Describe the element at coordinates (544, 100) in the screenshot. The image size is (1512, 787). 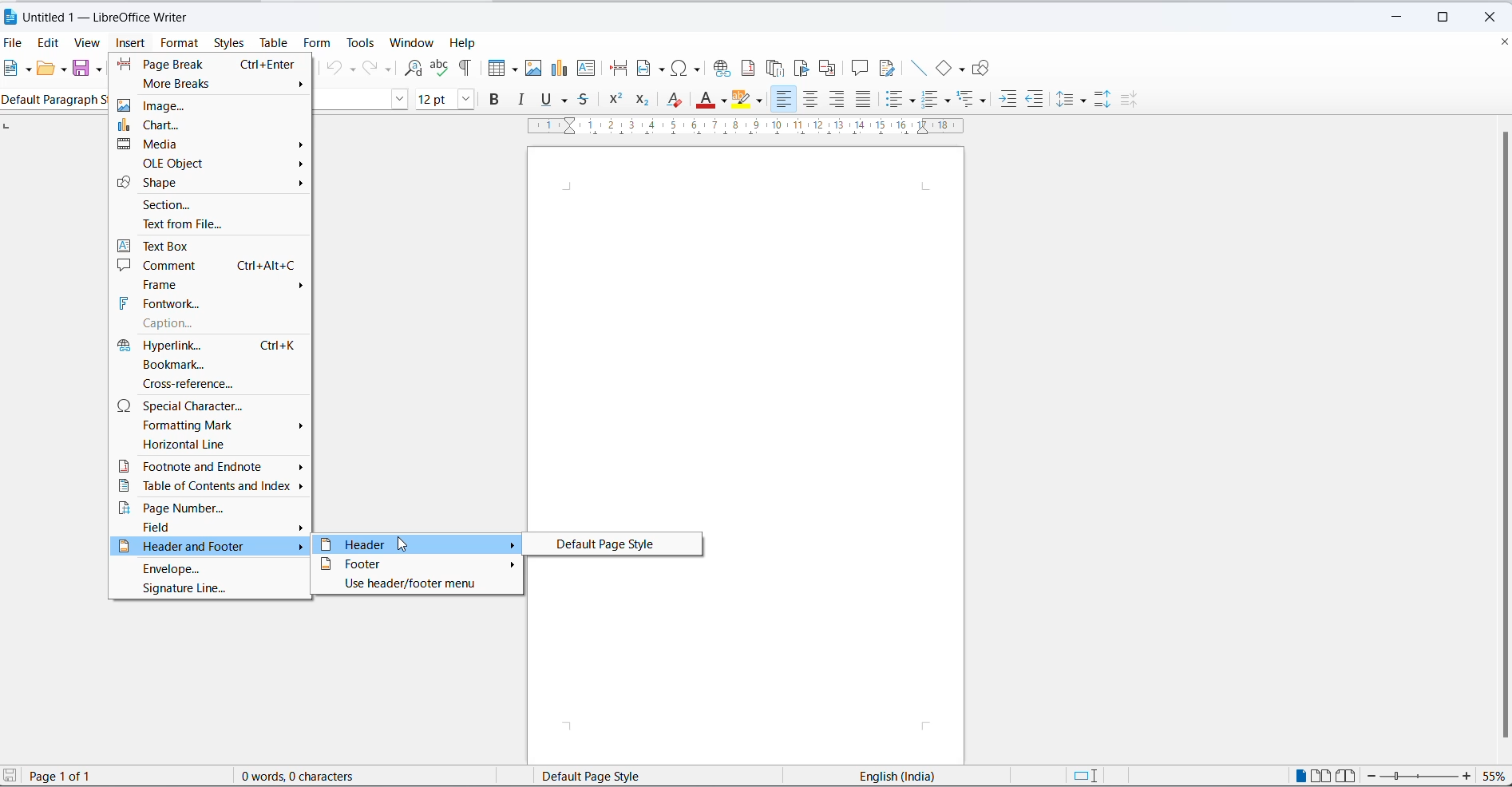
I see `underline` at that location.